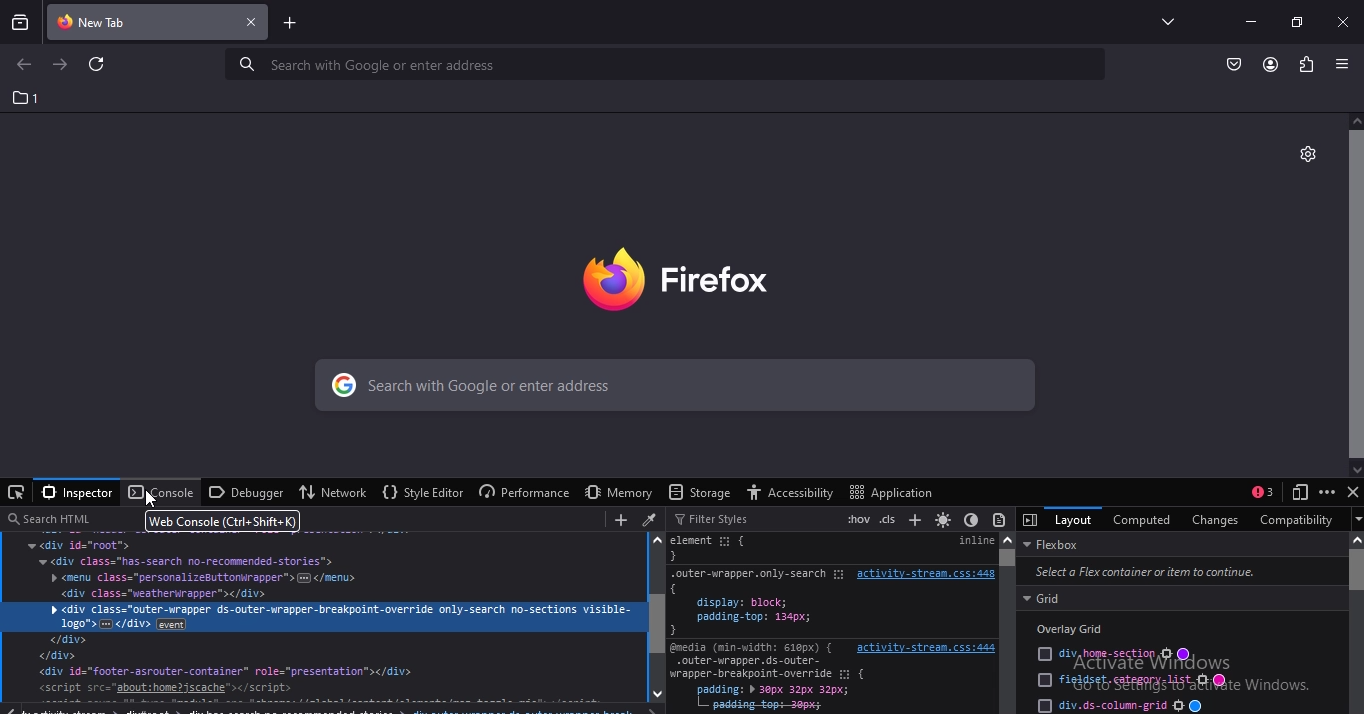 This screenshot has height=714, width=1364. What do you see at coordinates (650, 520) in the screenshot?
I see `grab a color from the page` at bounding box center [650, 520].